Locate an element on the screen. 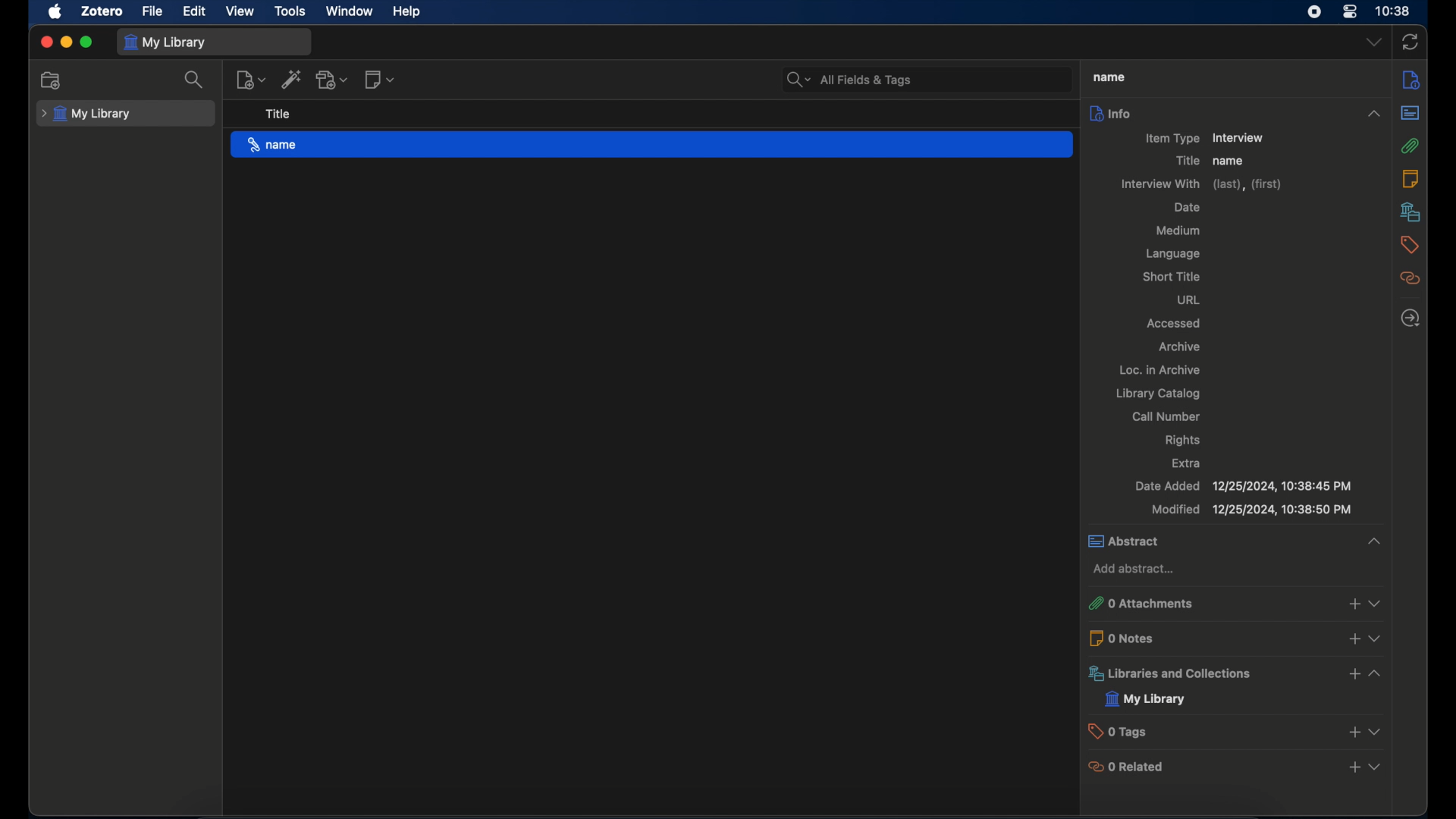 This screenshot has height=819, width=1456. zotero is located at coordinates (104, 11).